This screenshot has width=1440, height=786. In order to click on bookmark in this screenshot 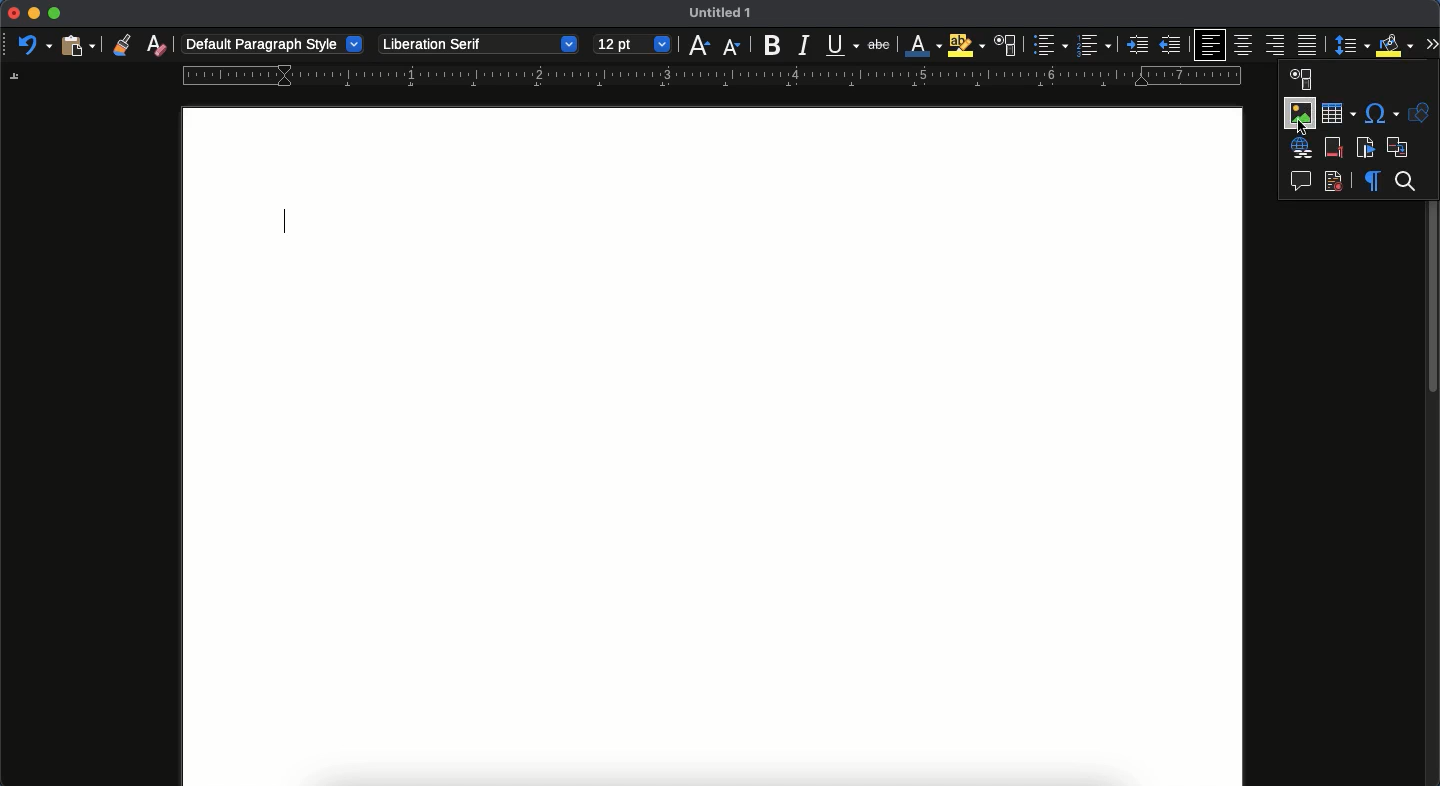, I will do `click(1365, 149)`.